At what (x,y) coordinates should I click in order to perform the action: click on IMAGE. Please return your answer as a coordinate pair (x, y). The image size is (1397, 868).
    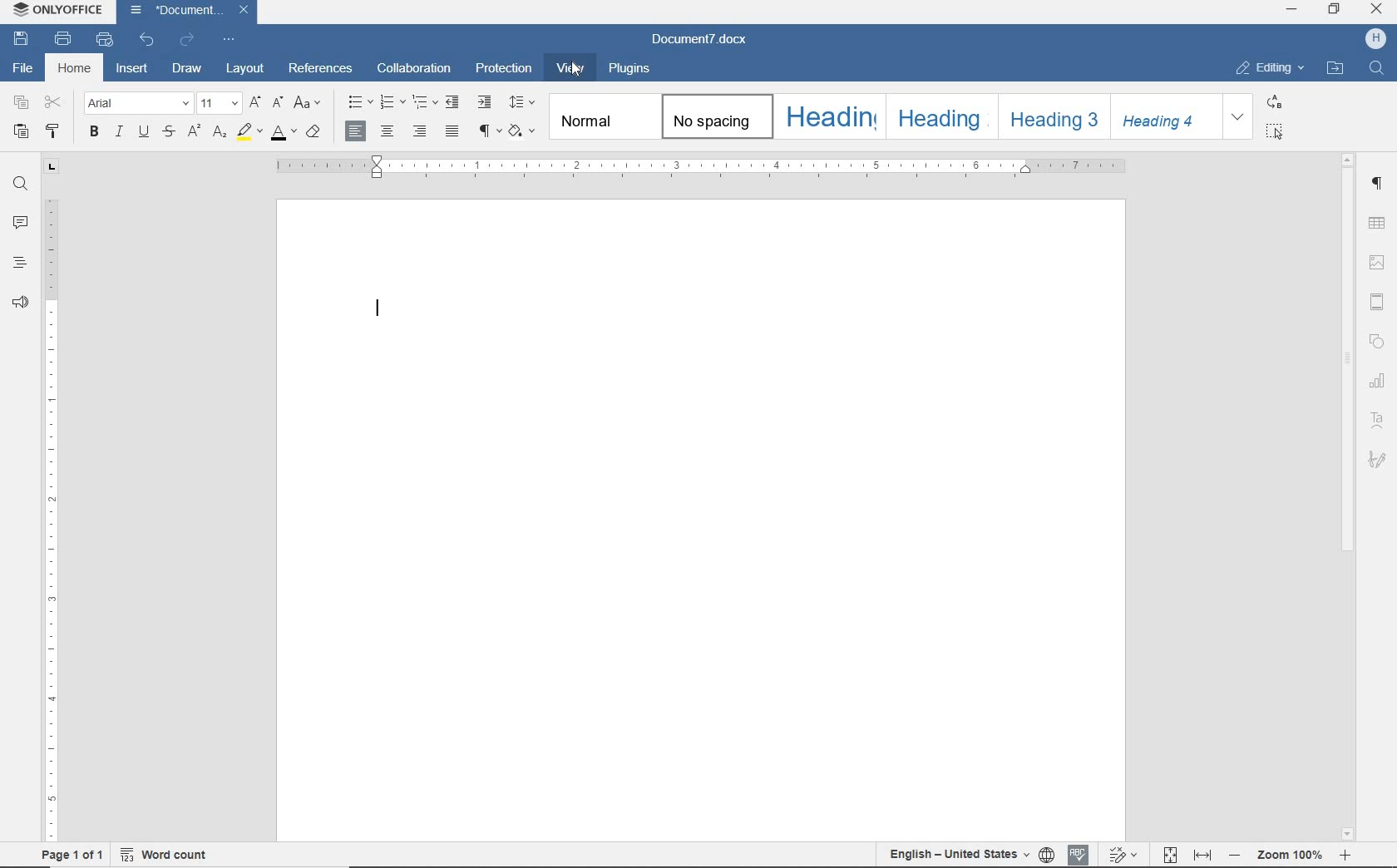
    Looking at the image, I should click on (1377, 262).